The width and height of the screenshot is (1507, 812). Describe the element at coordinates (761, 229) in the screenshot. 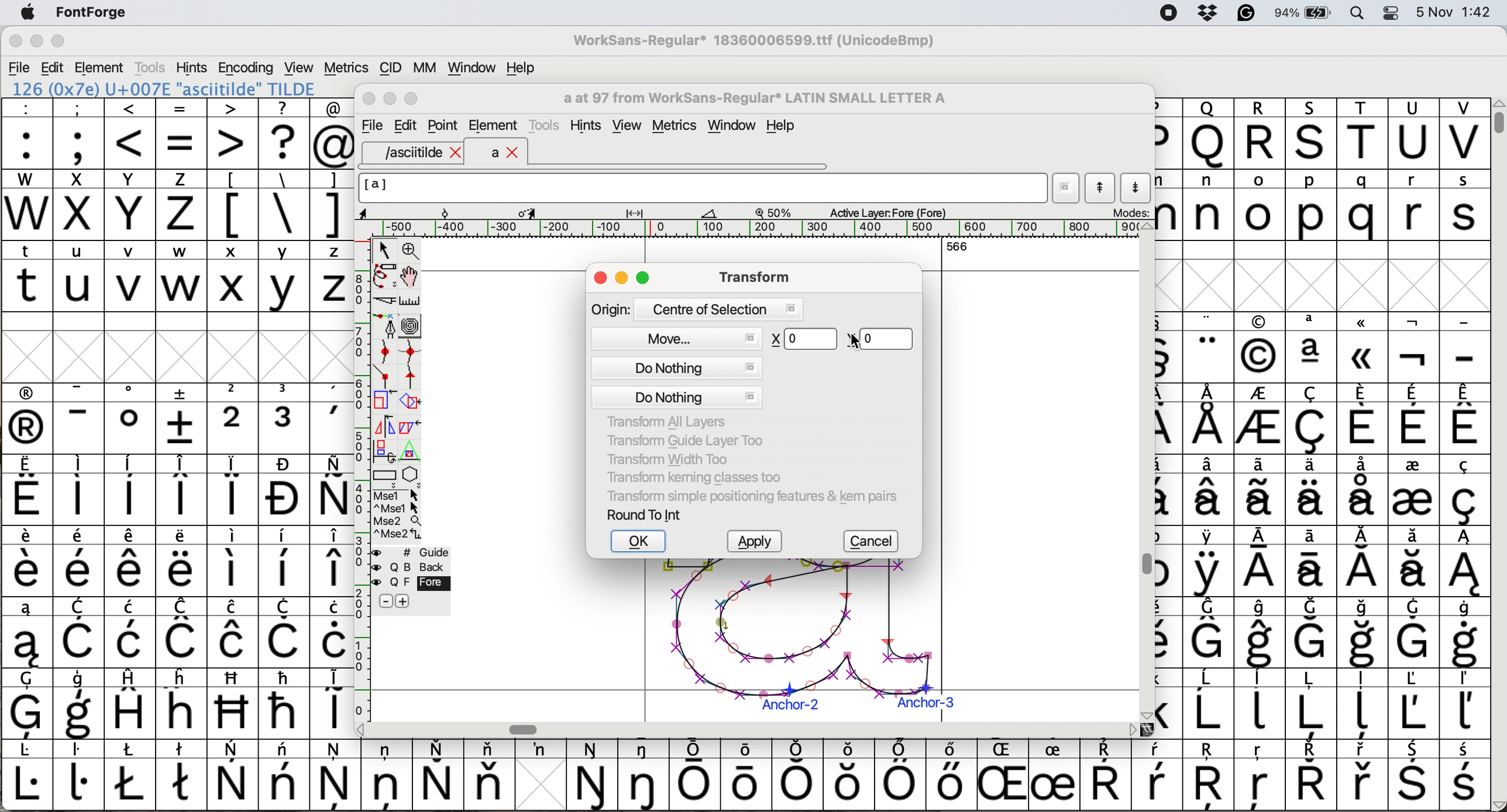

I see `horizontal scale` at that location.